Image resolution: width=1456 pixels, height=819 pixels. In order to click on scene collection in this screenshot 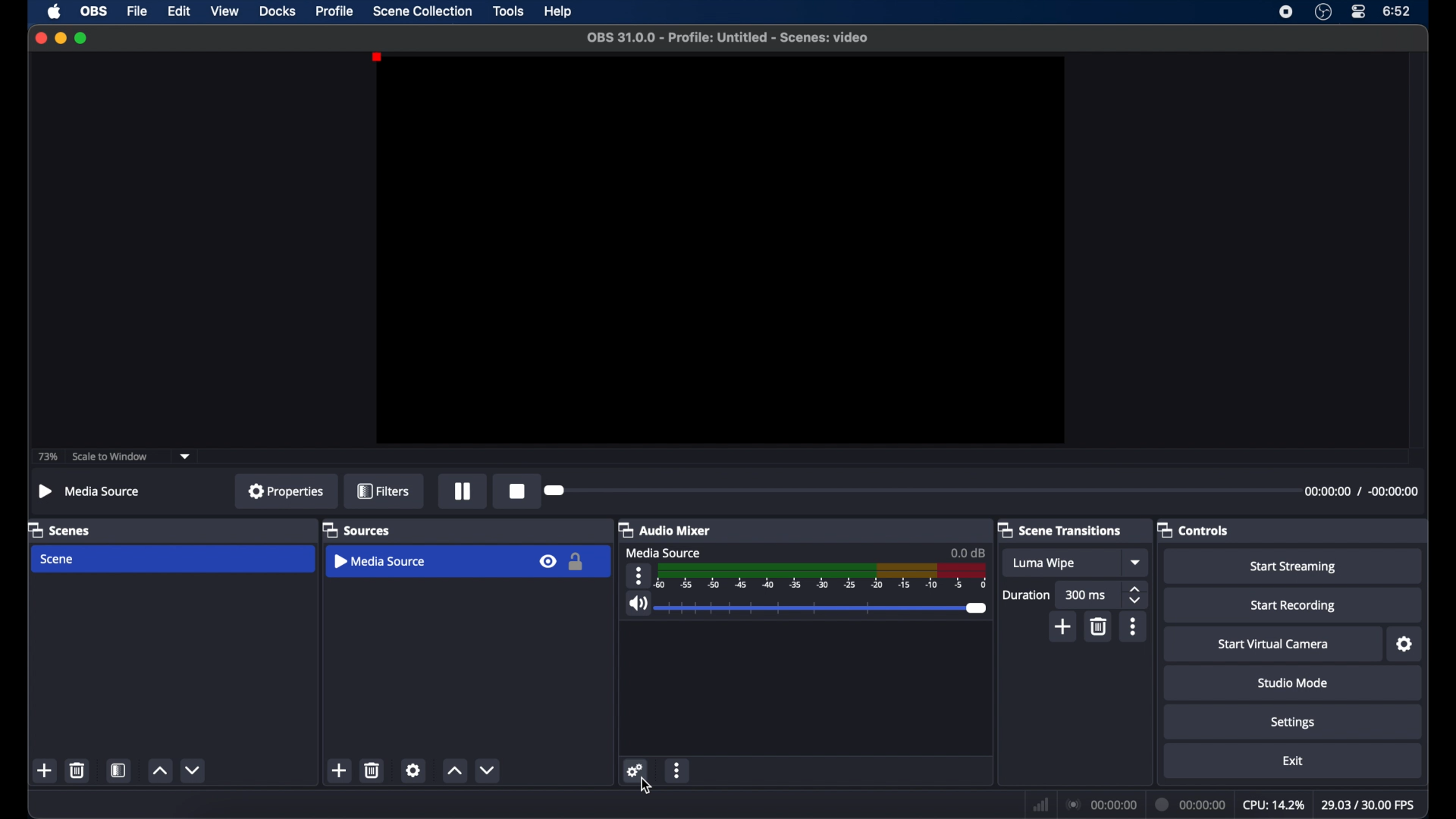, I will do `click(422, 11)`.